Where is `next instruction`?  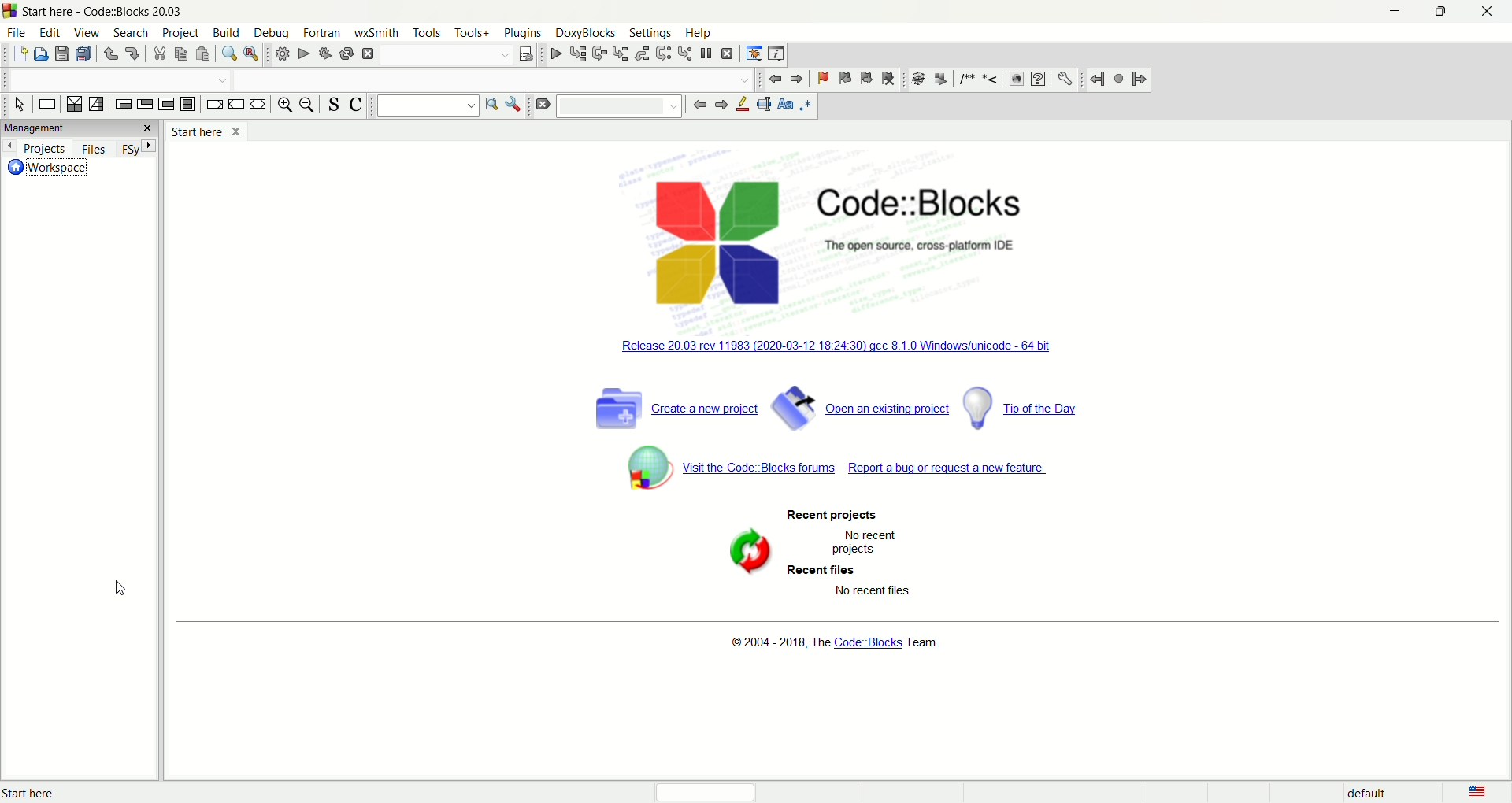
next instruction is located at coordinates (663, 53).